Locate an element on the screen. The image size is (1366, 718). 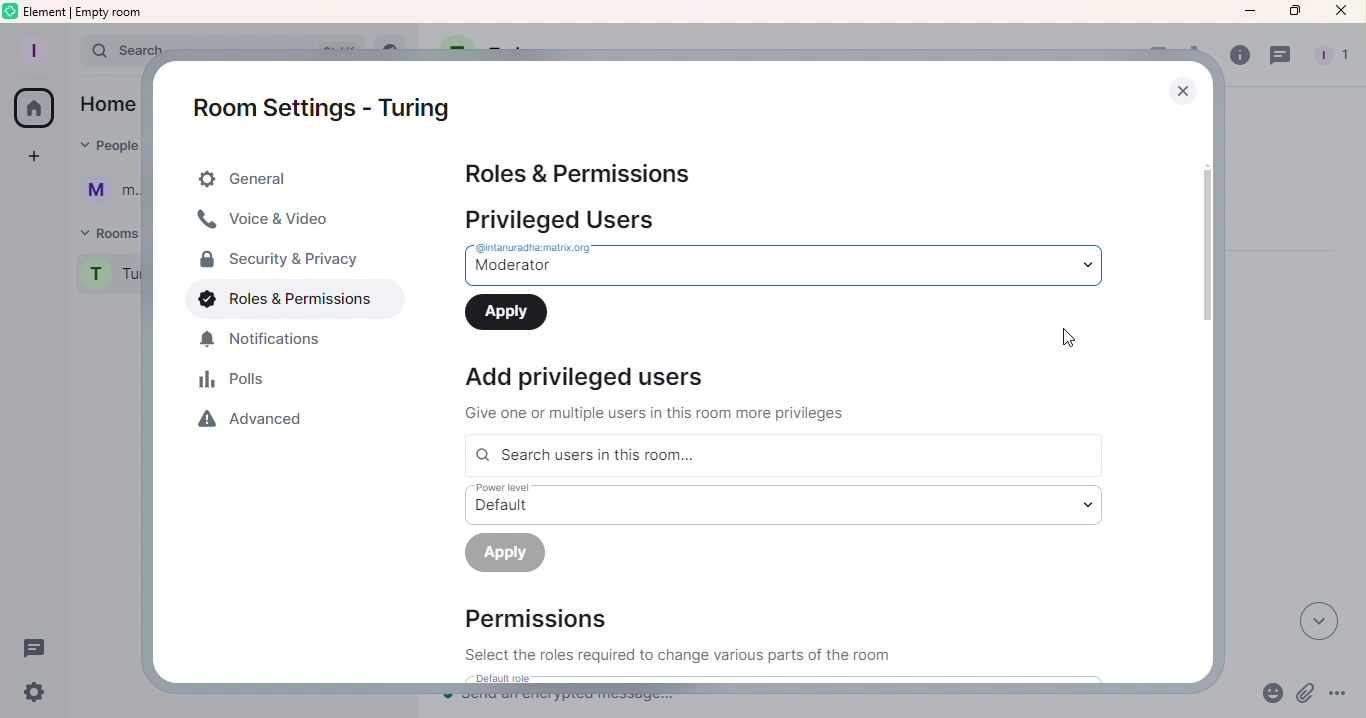
Roles & Permissions is located at coordinates (279, 300).